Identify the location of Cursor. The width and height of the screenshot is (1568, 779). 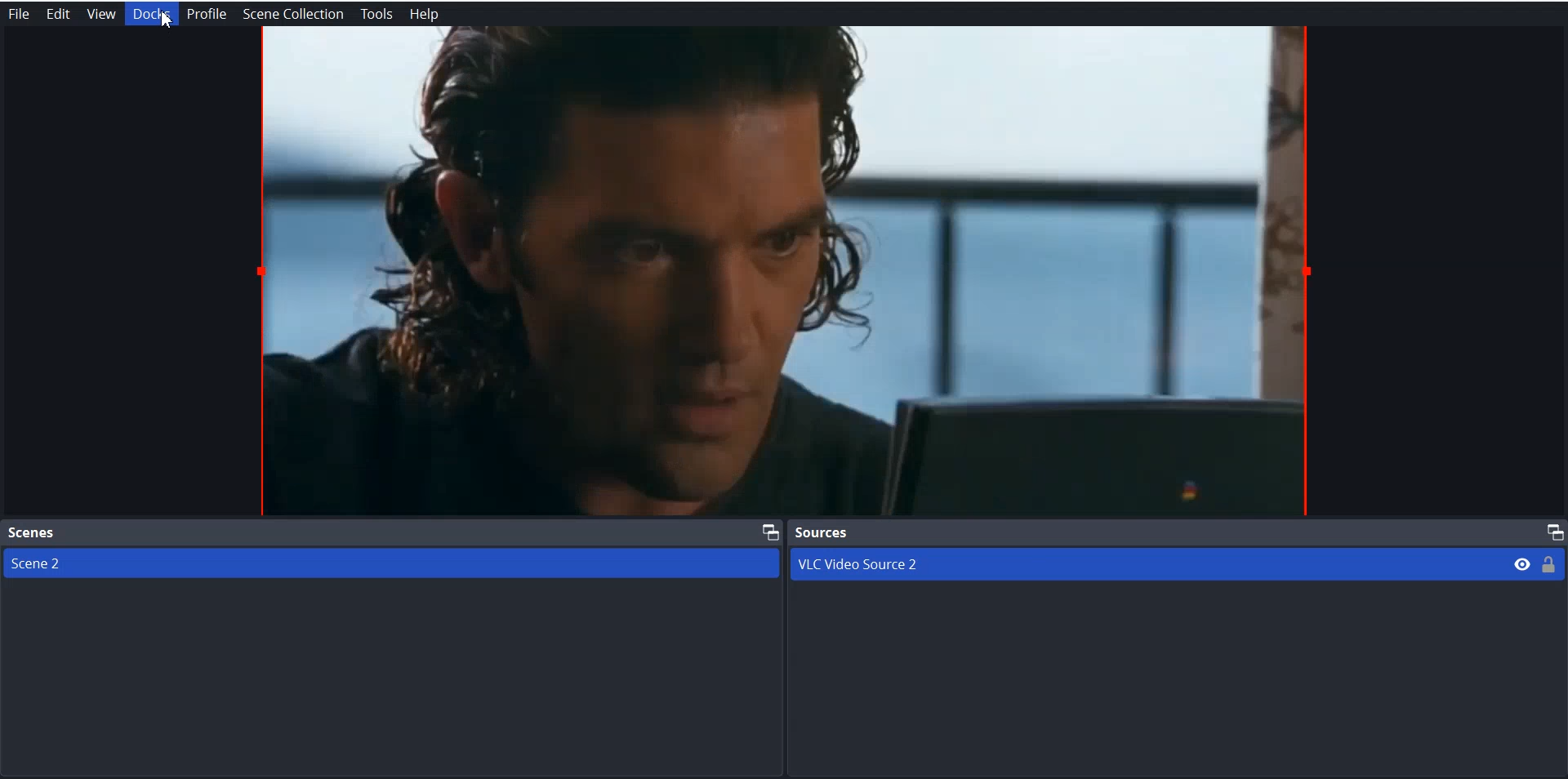
(171, 22).